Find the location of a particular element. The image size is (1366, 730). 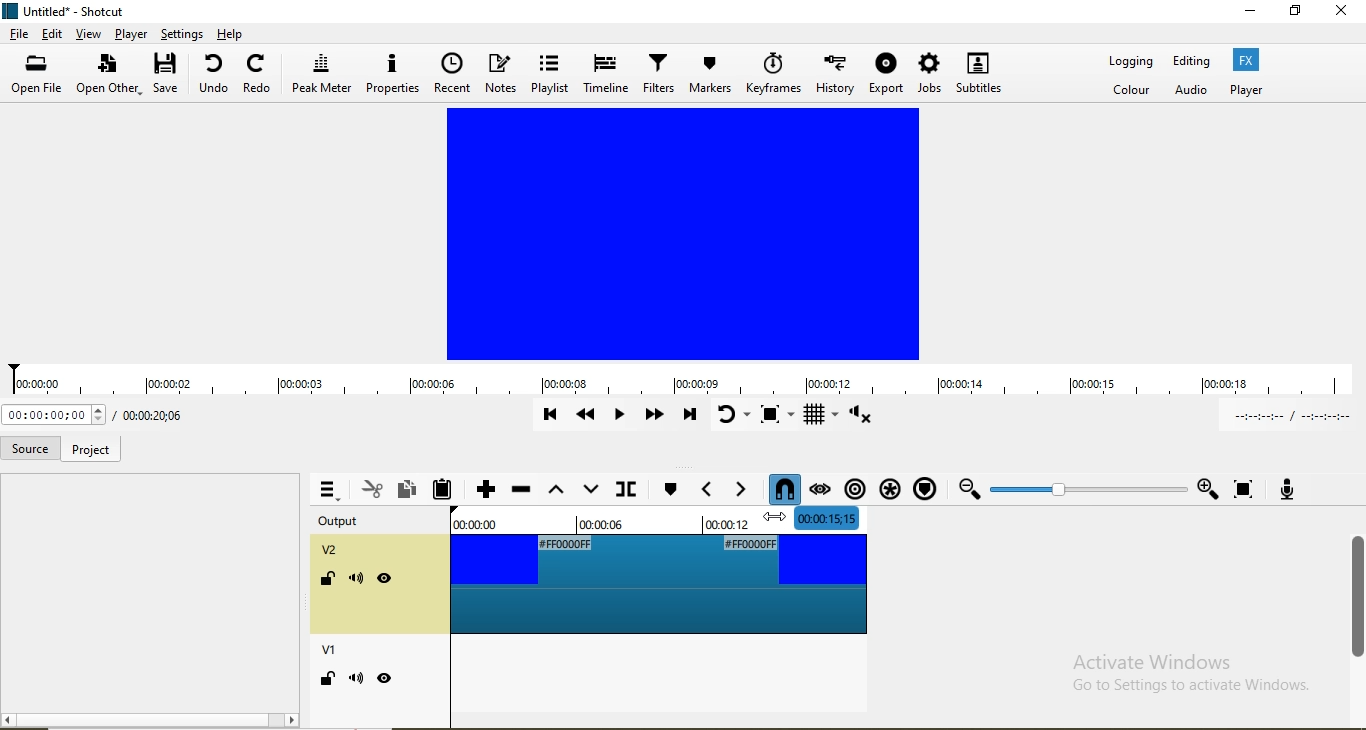

open other is located at coordinates (109, 76).